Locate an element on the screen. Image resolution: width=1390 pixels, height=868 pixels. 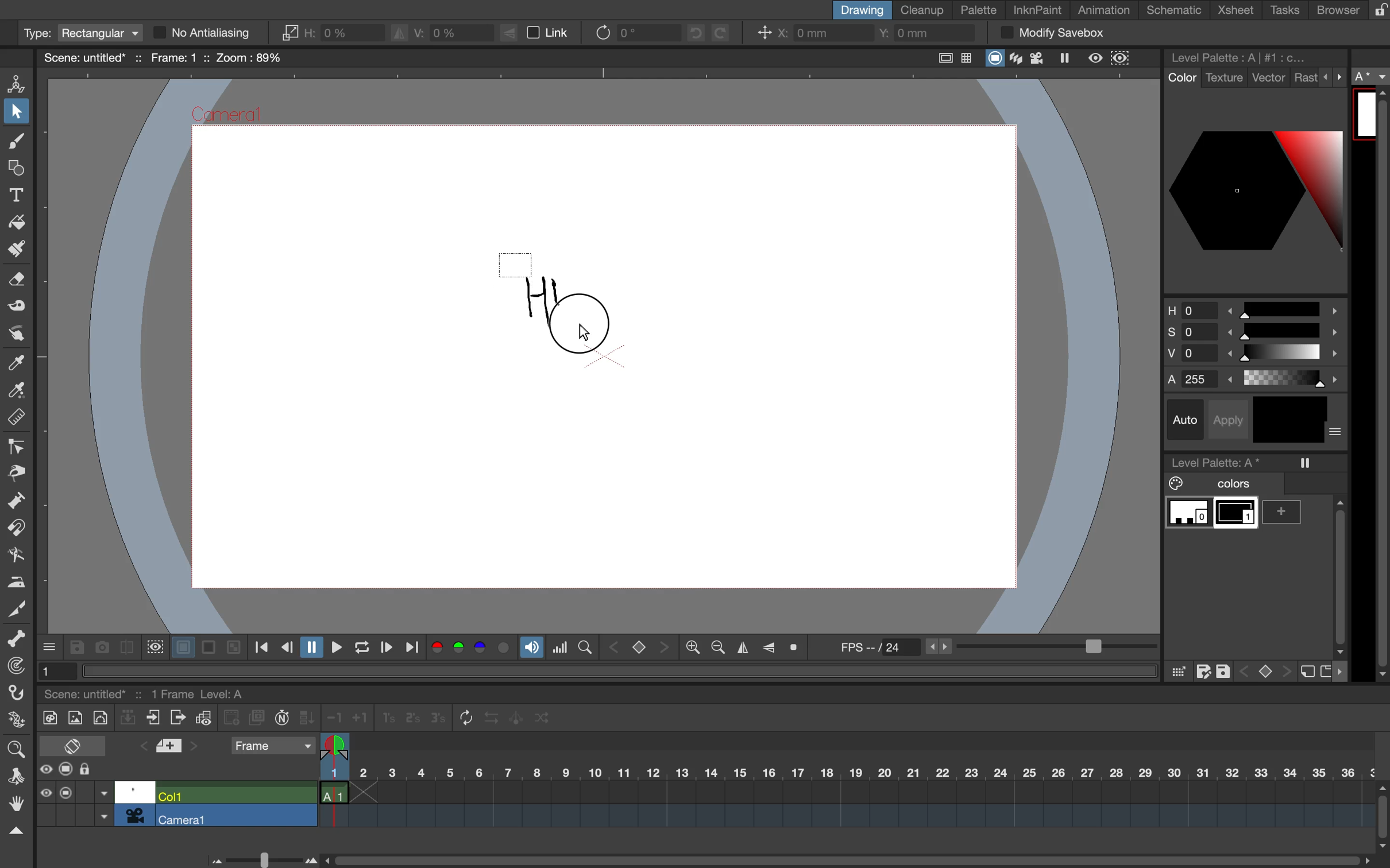
flip vertically is located at coordinates (769, 646).